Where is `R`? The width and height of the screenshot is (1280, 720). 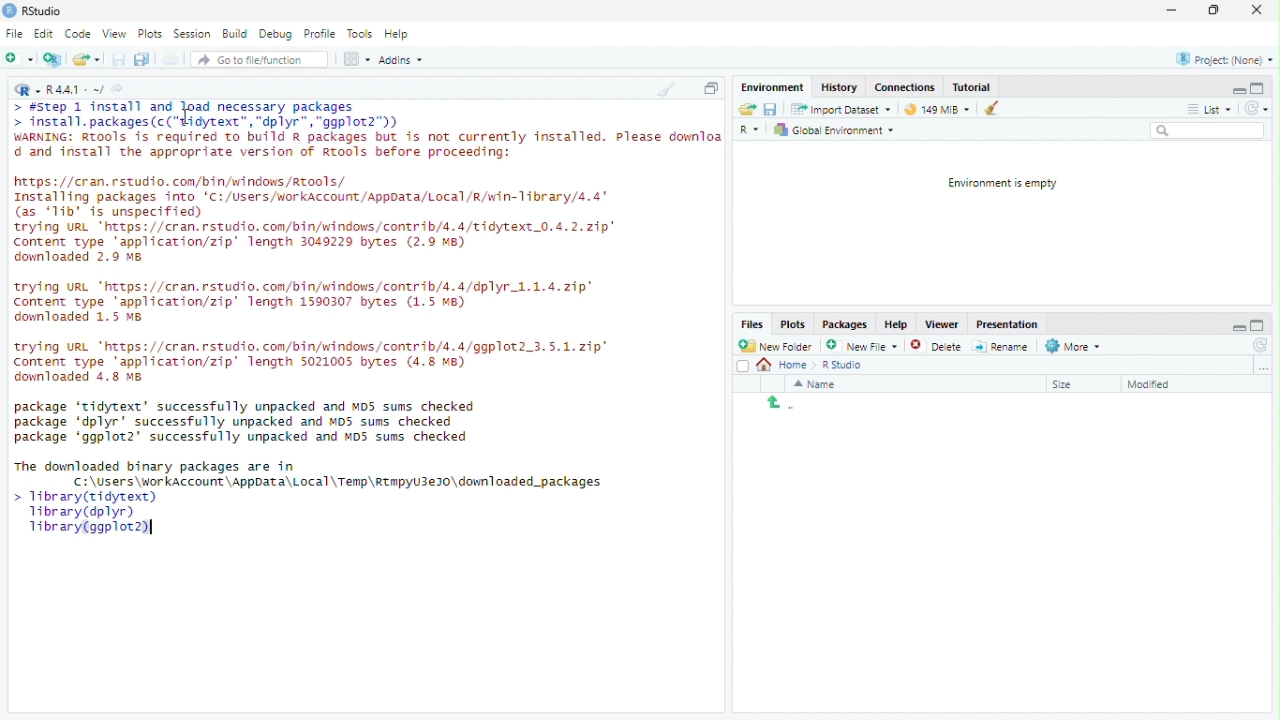 R is located at coordinates (752, 131).